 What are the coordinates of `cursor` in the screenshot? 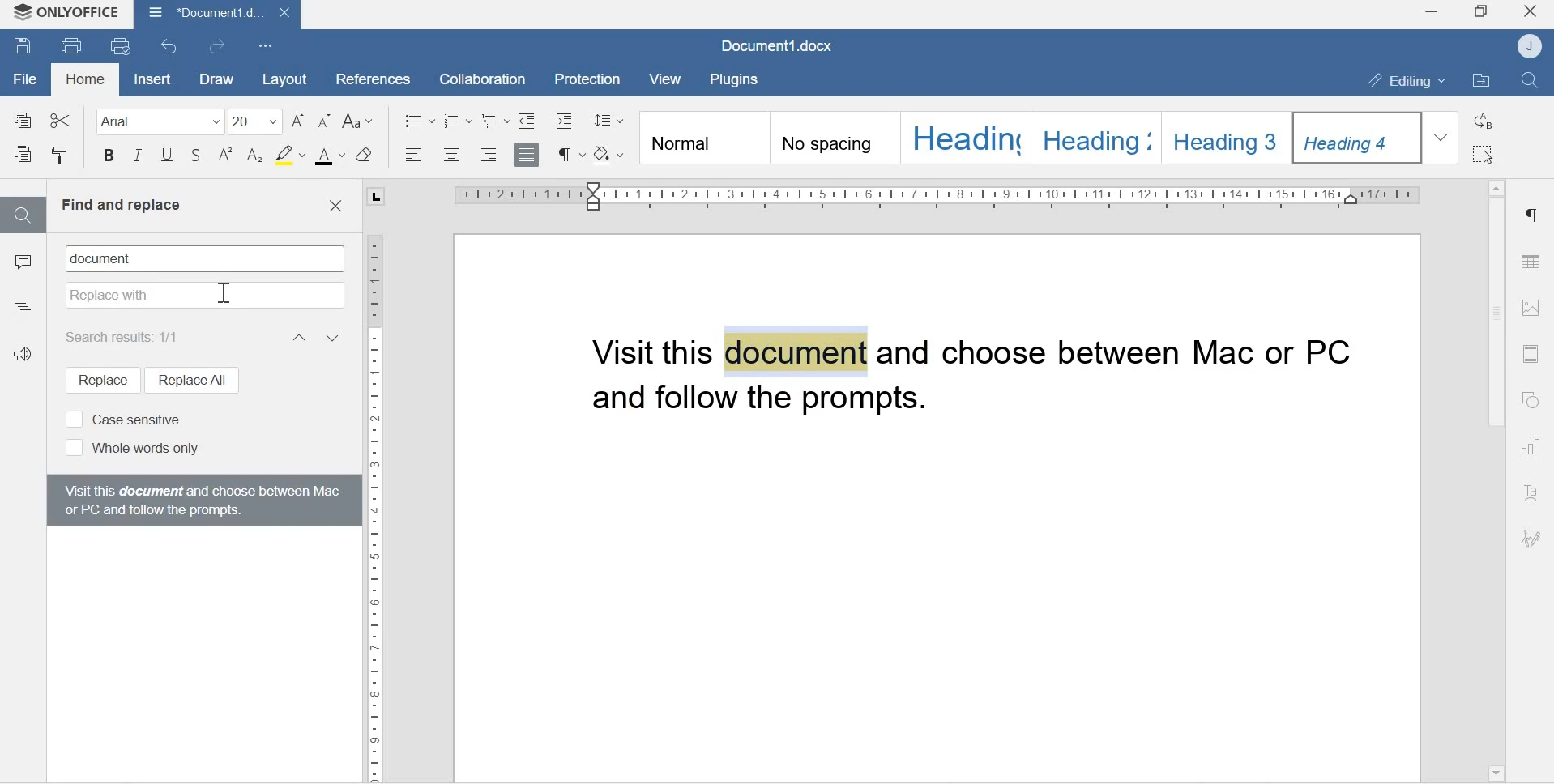 It's located at (224, 294).